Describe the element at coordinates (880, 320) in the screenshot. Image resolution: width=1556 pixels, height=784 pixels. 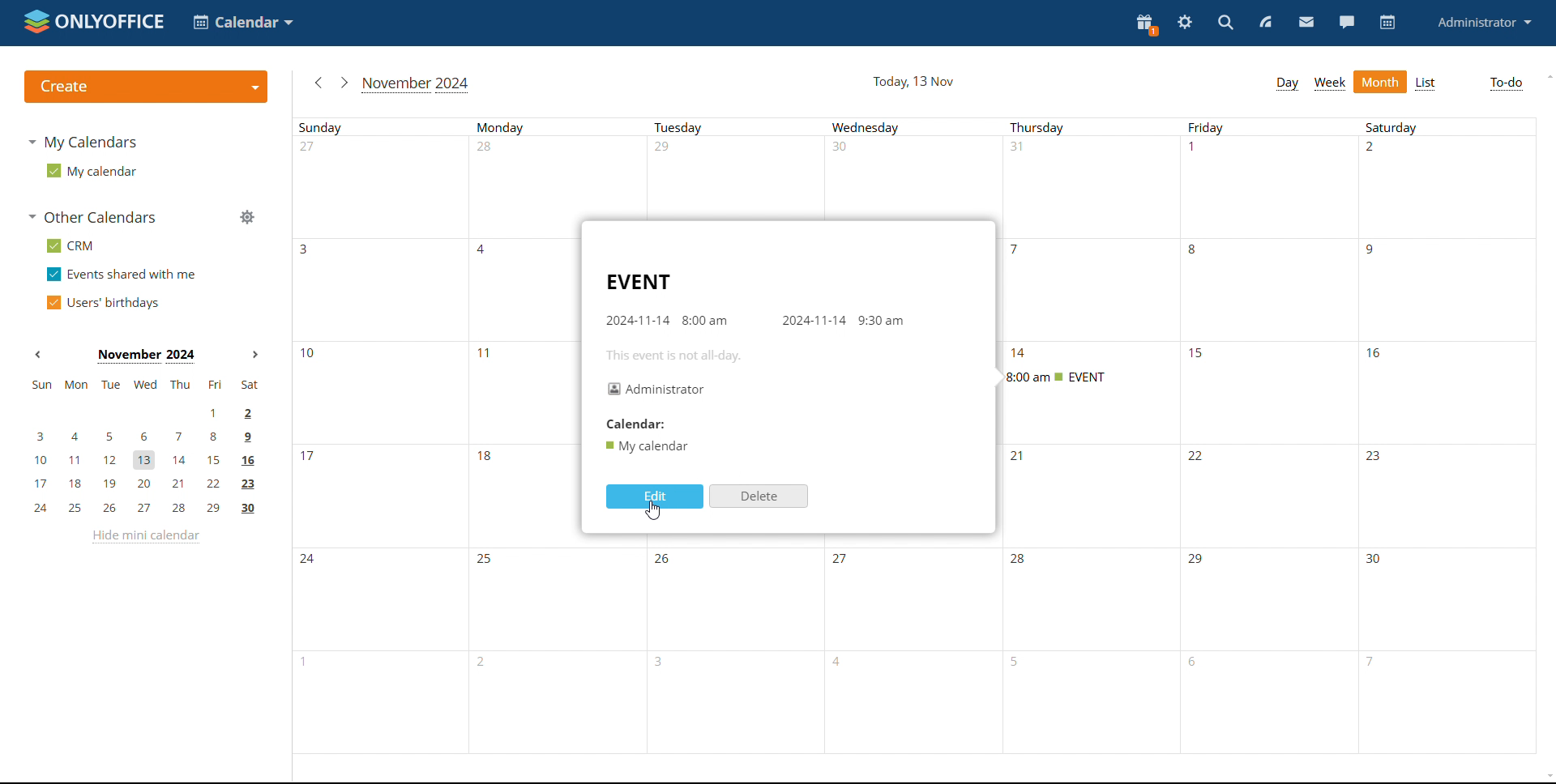
I see `end time` at that location.